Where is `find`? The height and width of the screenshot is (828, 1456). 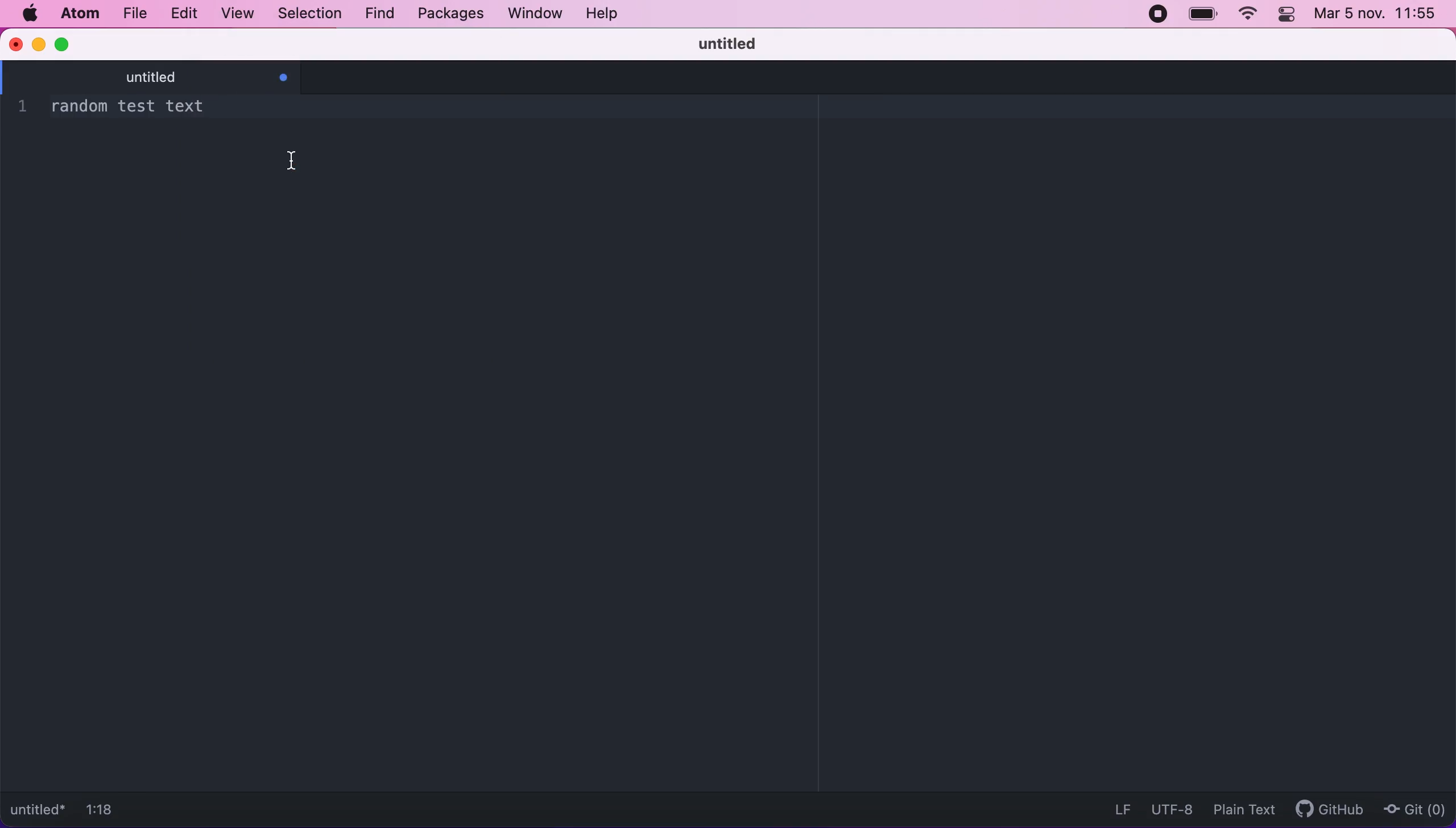 find is located at coordinates (379, 15).